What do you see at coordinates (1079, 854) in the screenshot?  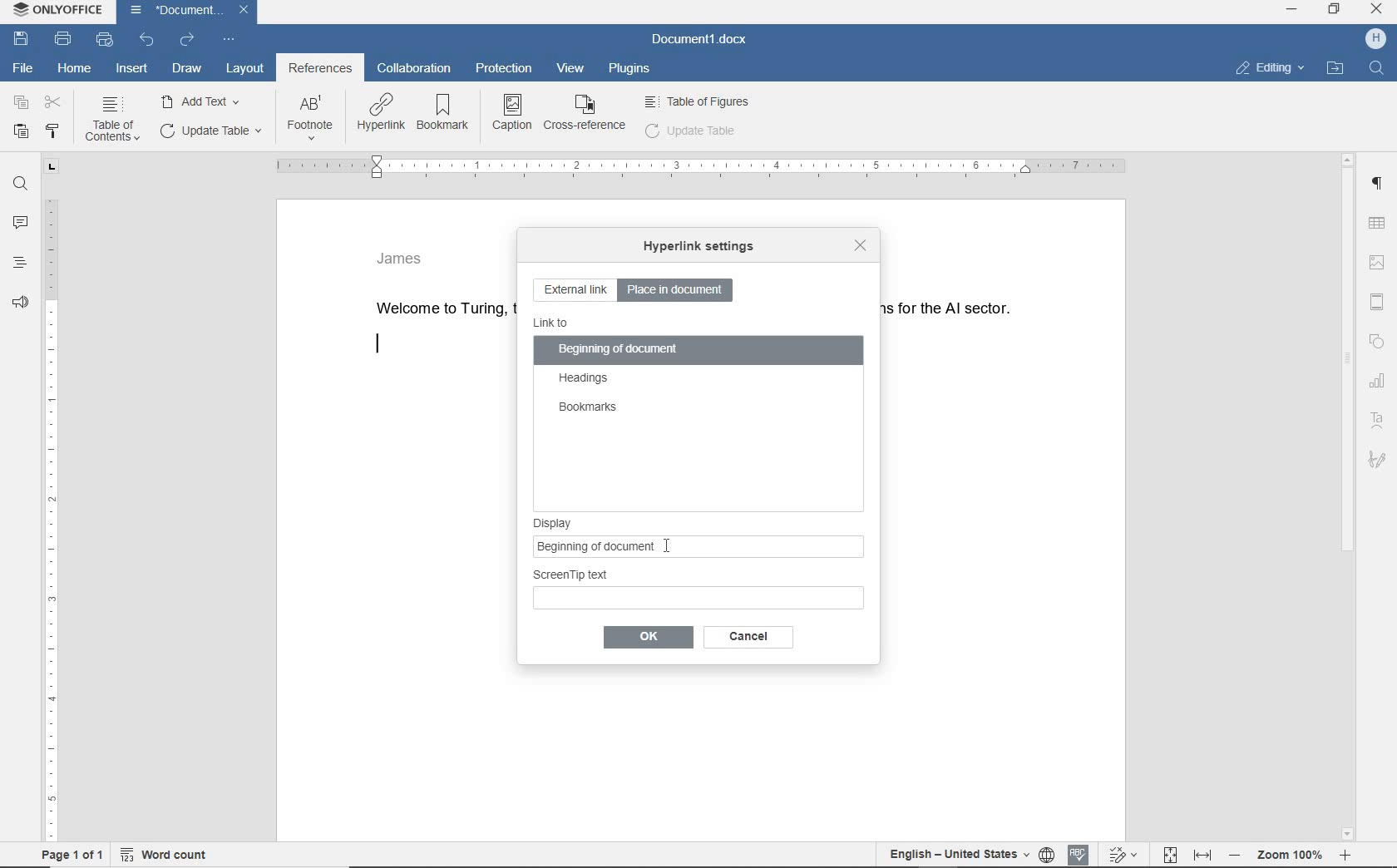 I see `spell checking` at bounding box center [1079, 854].